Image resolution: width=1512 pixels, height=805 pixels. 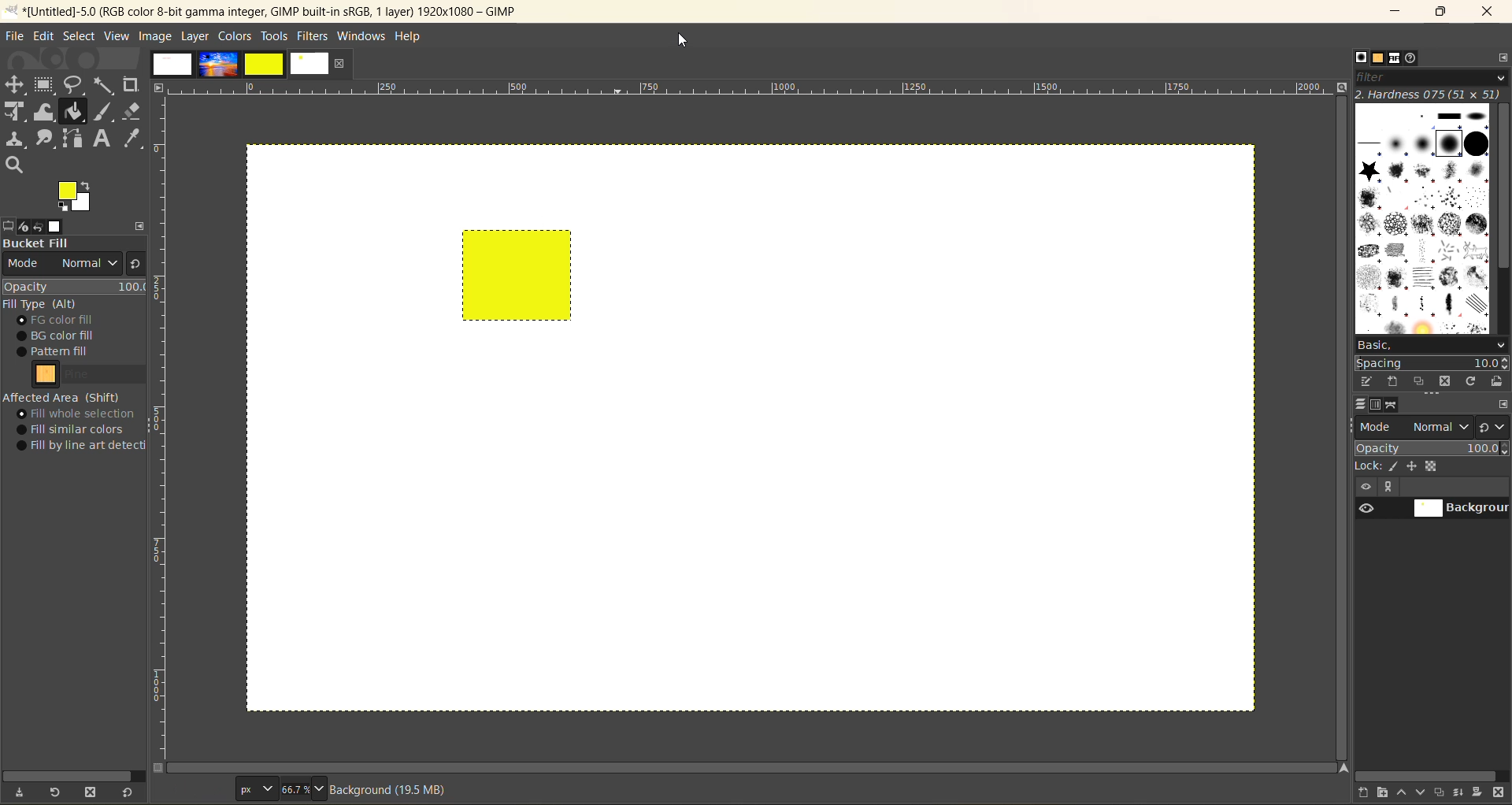 What do you see at coordinates (133, 266) in the screenshot?
I see `switch to another group` at bounding box center [133, 266].